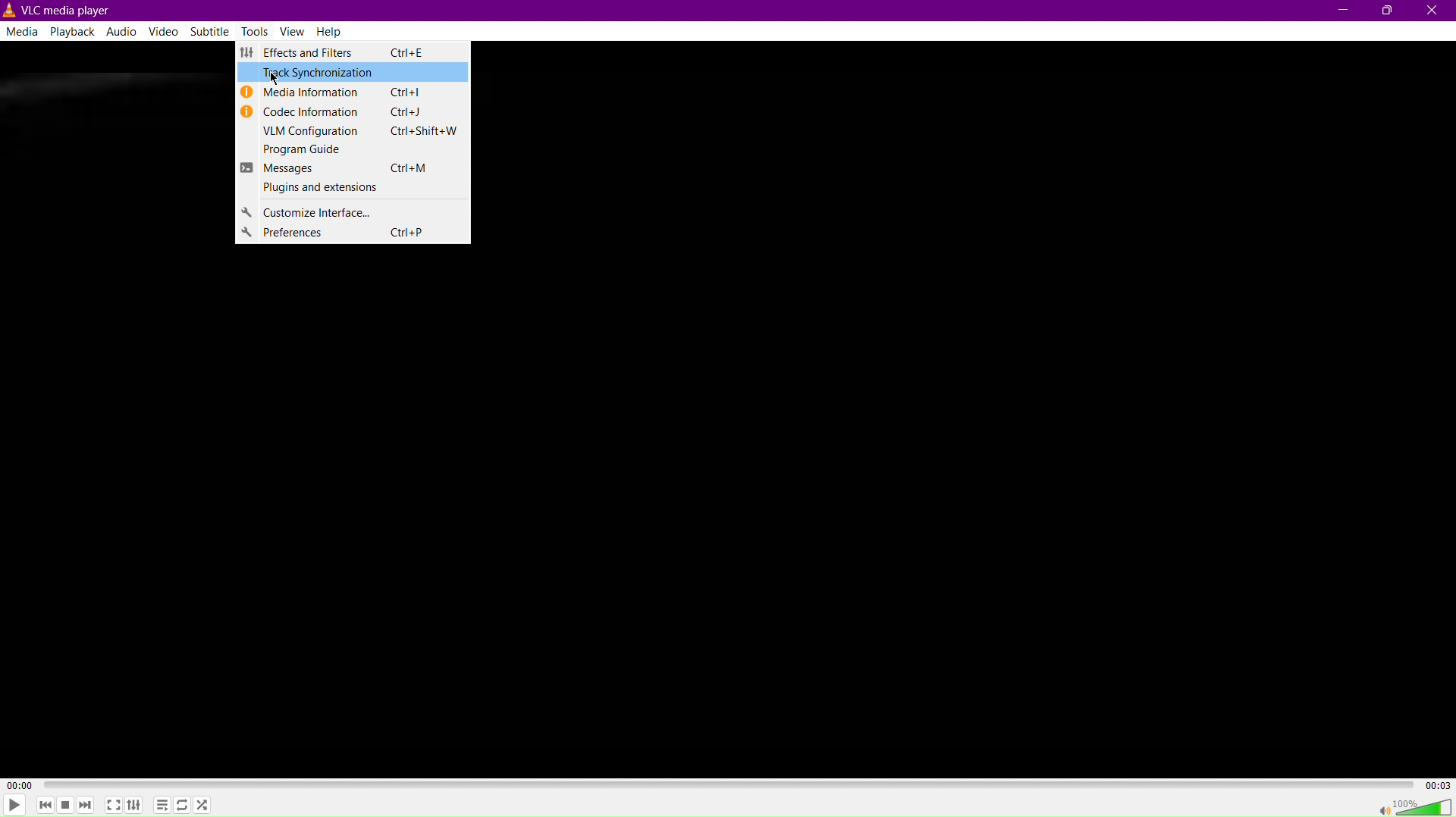 The width and height of the screenshot is (1456, 817). I want to click on elapsed time, so click(17, 784).